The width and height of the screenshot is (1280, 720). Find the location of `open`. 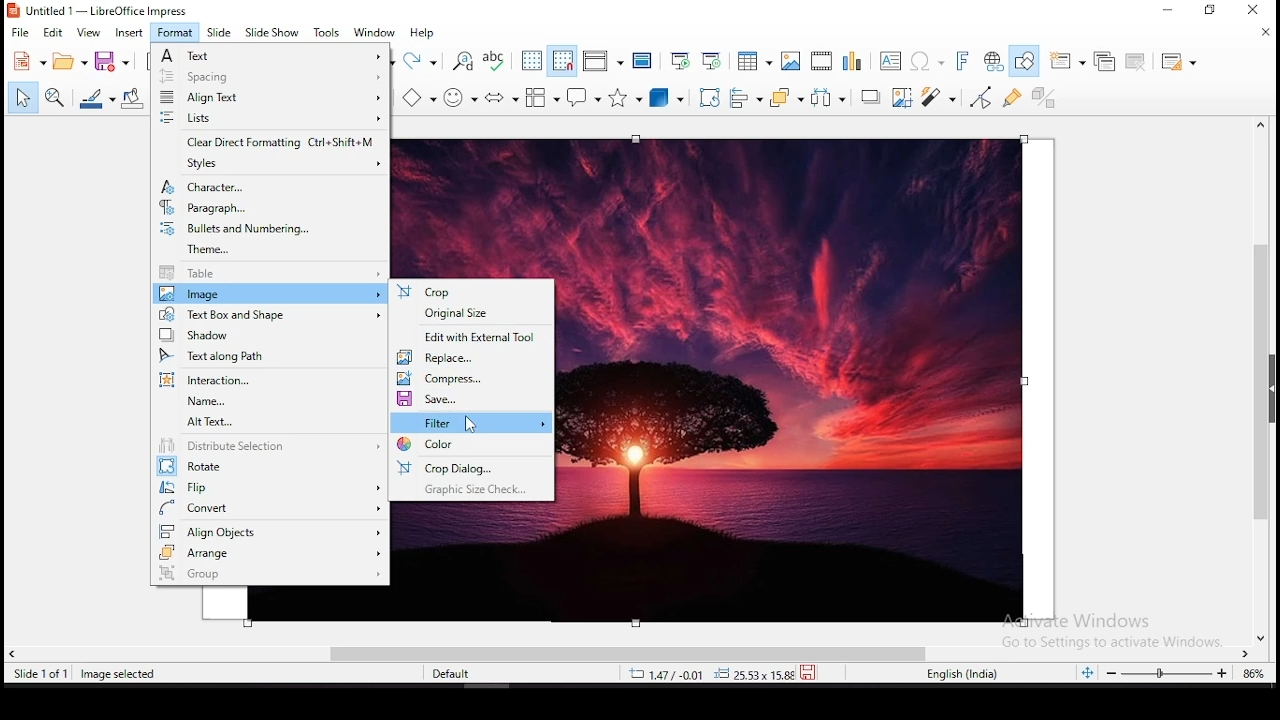

open is located at coordinates (68, 62).